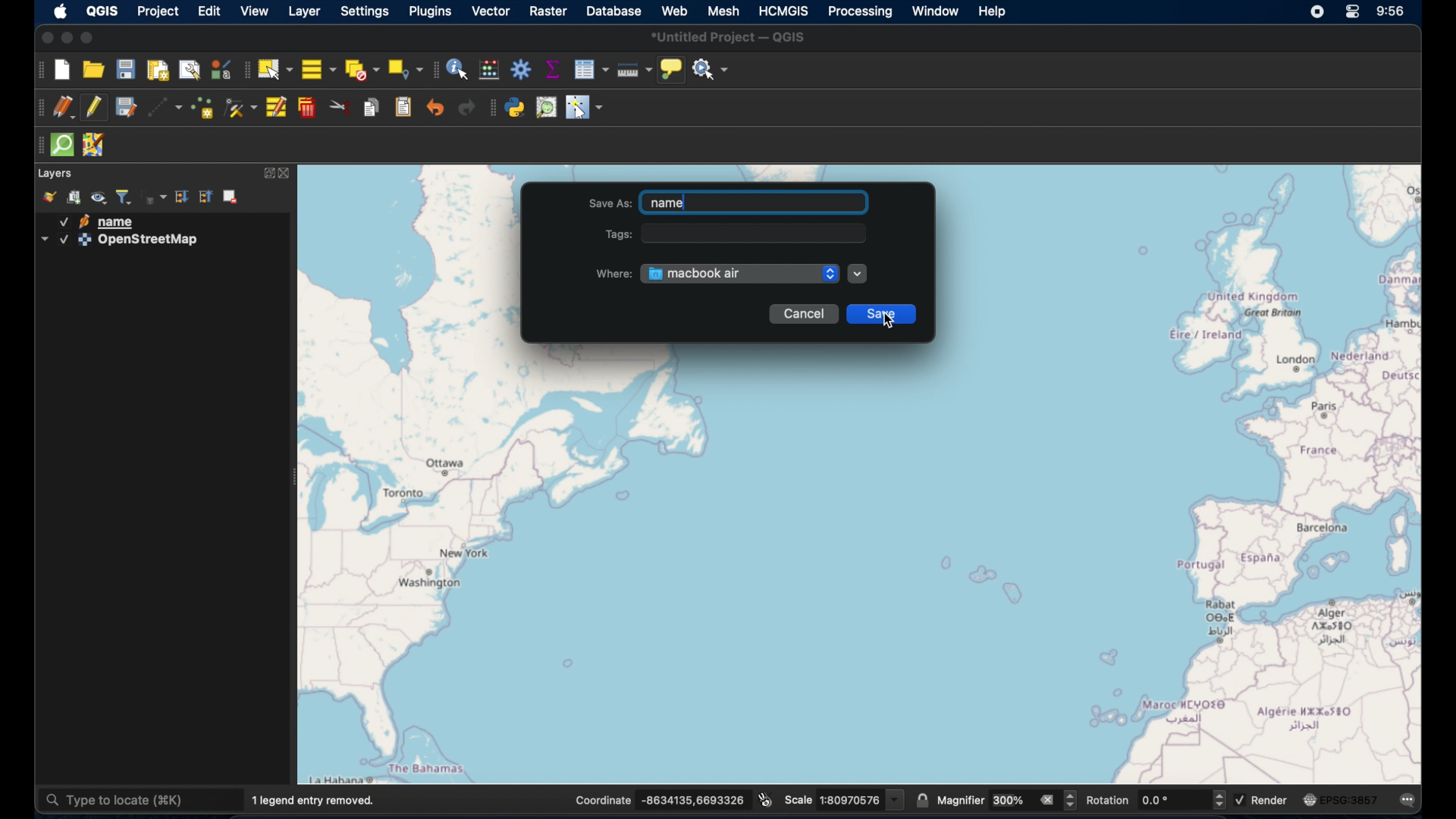  Describe the element at coordinates (56, 174) in the screenshot. I see `layer` at that location.